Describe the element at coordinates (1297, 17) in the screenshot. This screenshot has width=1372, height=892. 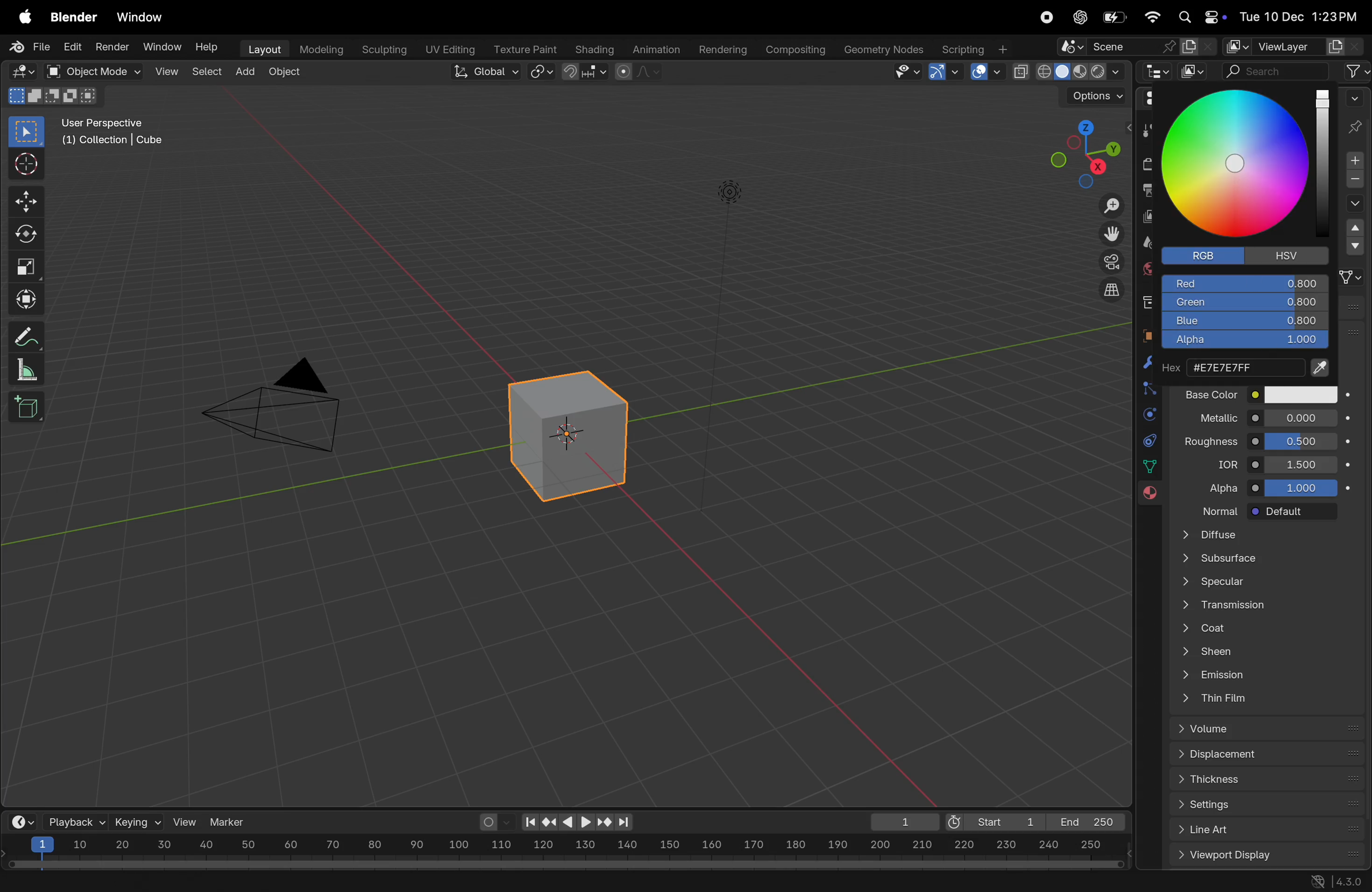
I see `Tue 12 dec 1.23 pm` at that location.